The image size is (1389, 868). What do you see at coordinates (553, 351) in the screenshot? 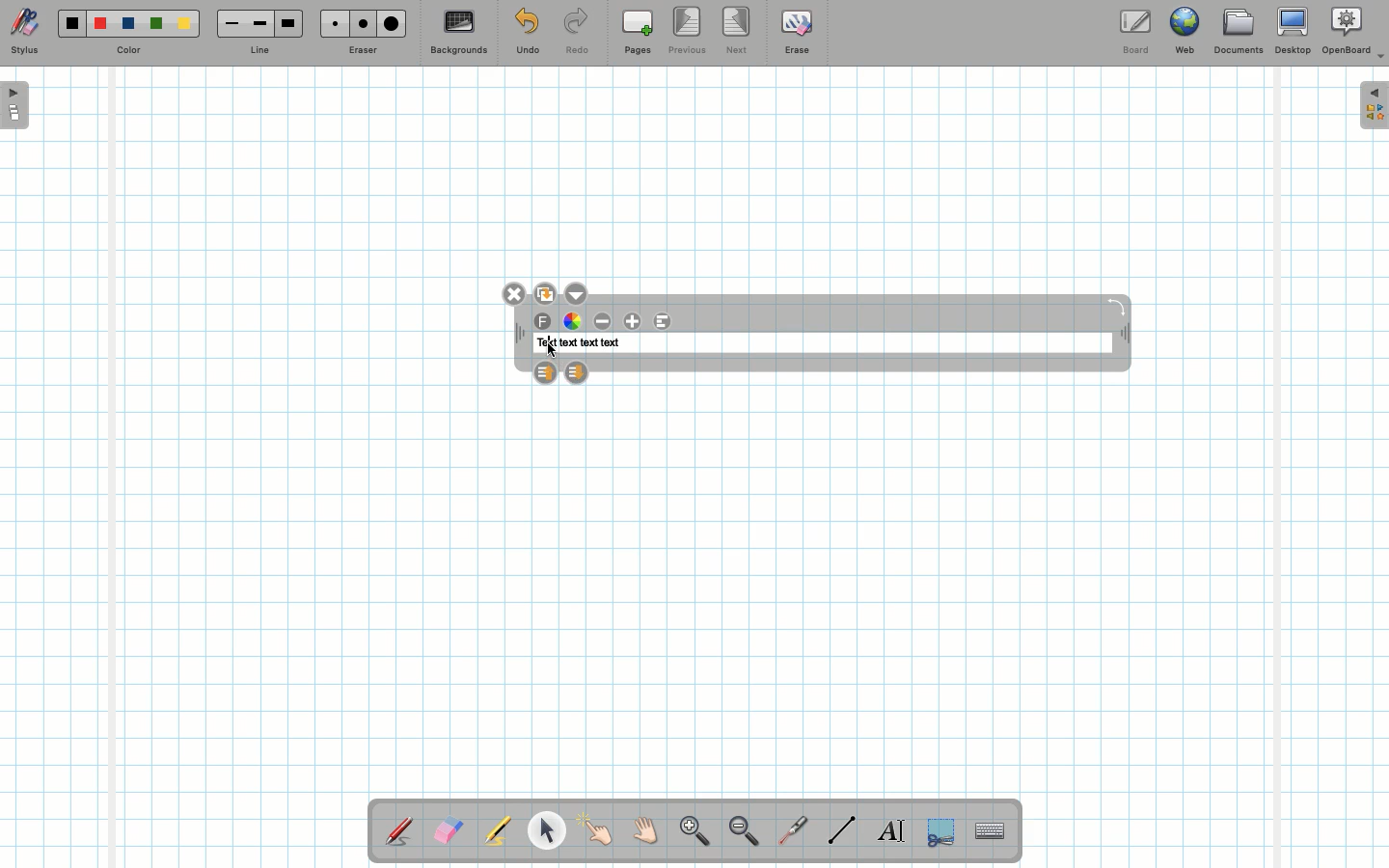
I see `cursor` at bounding box center [553, 351].